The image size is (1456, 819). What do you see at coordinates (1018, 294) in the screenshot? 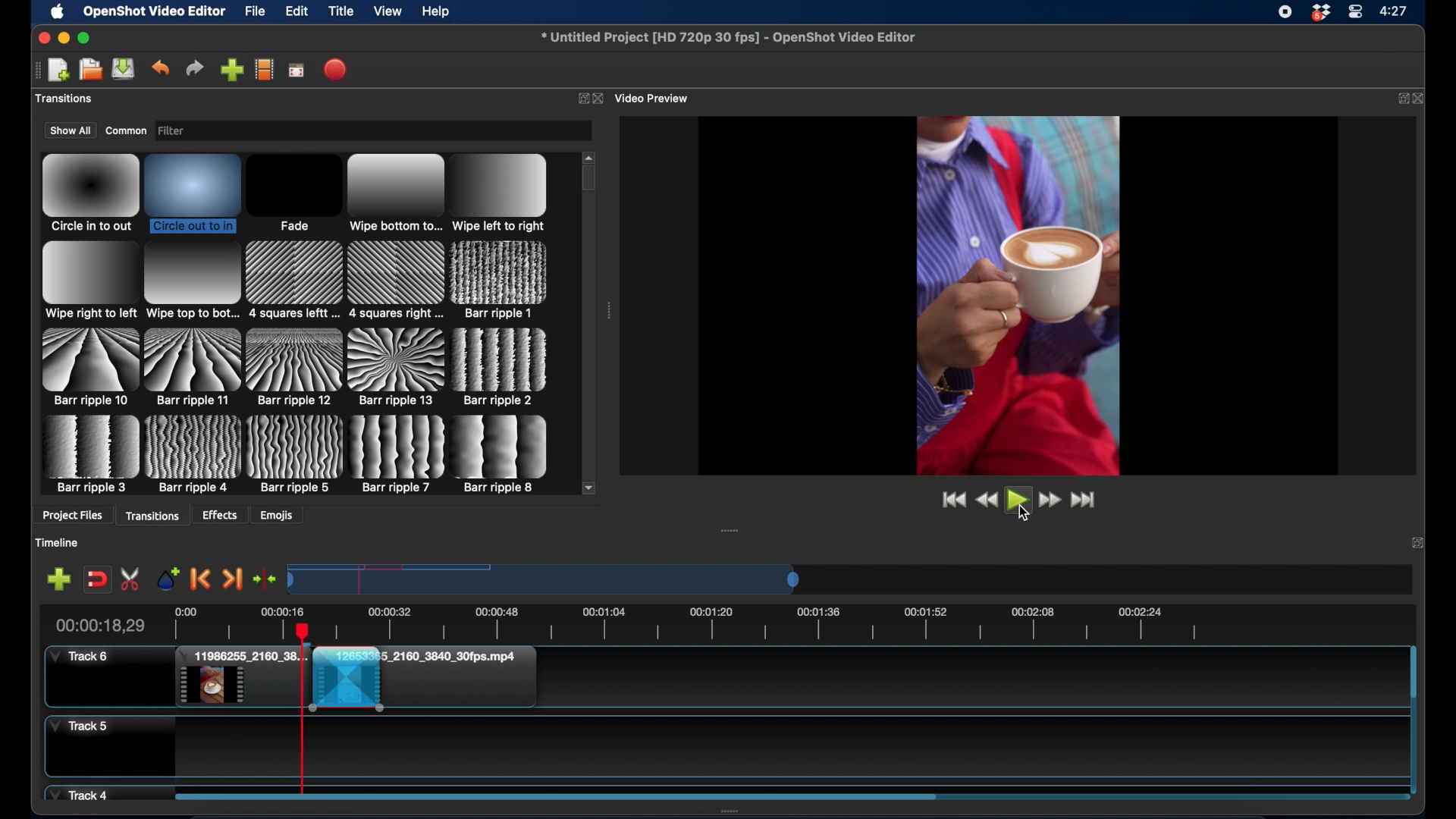
I see `video preview` at bounding box center [1018, 294].